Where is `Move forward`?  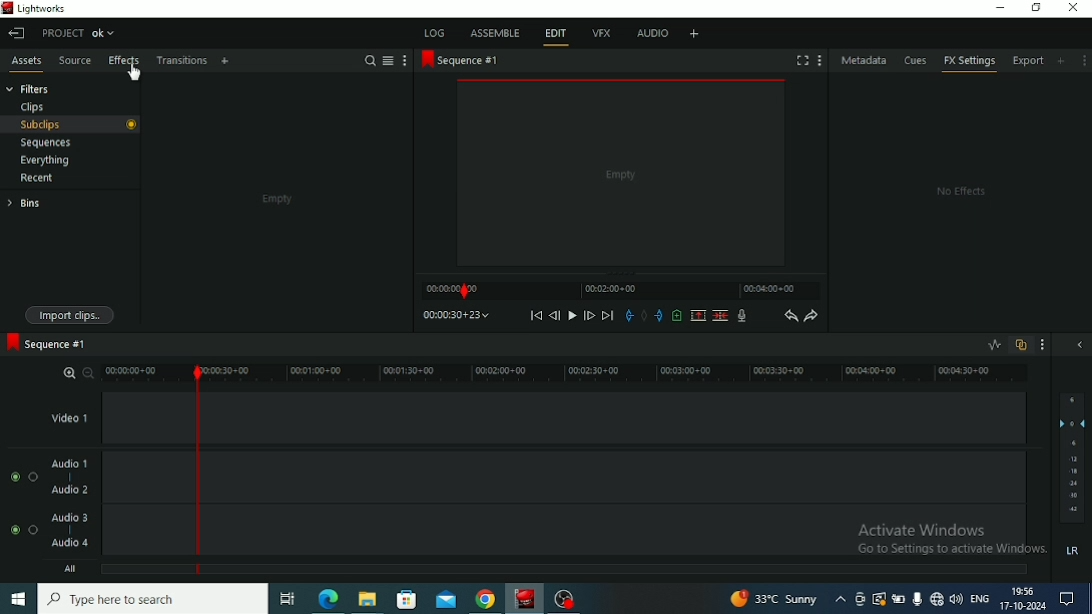 Move forward is located at coordinates (608, 315).